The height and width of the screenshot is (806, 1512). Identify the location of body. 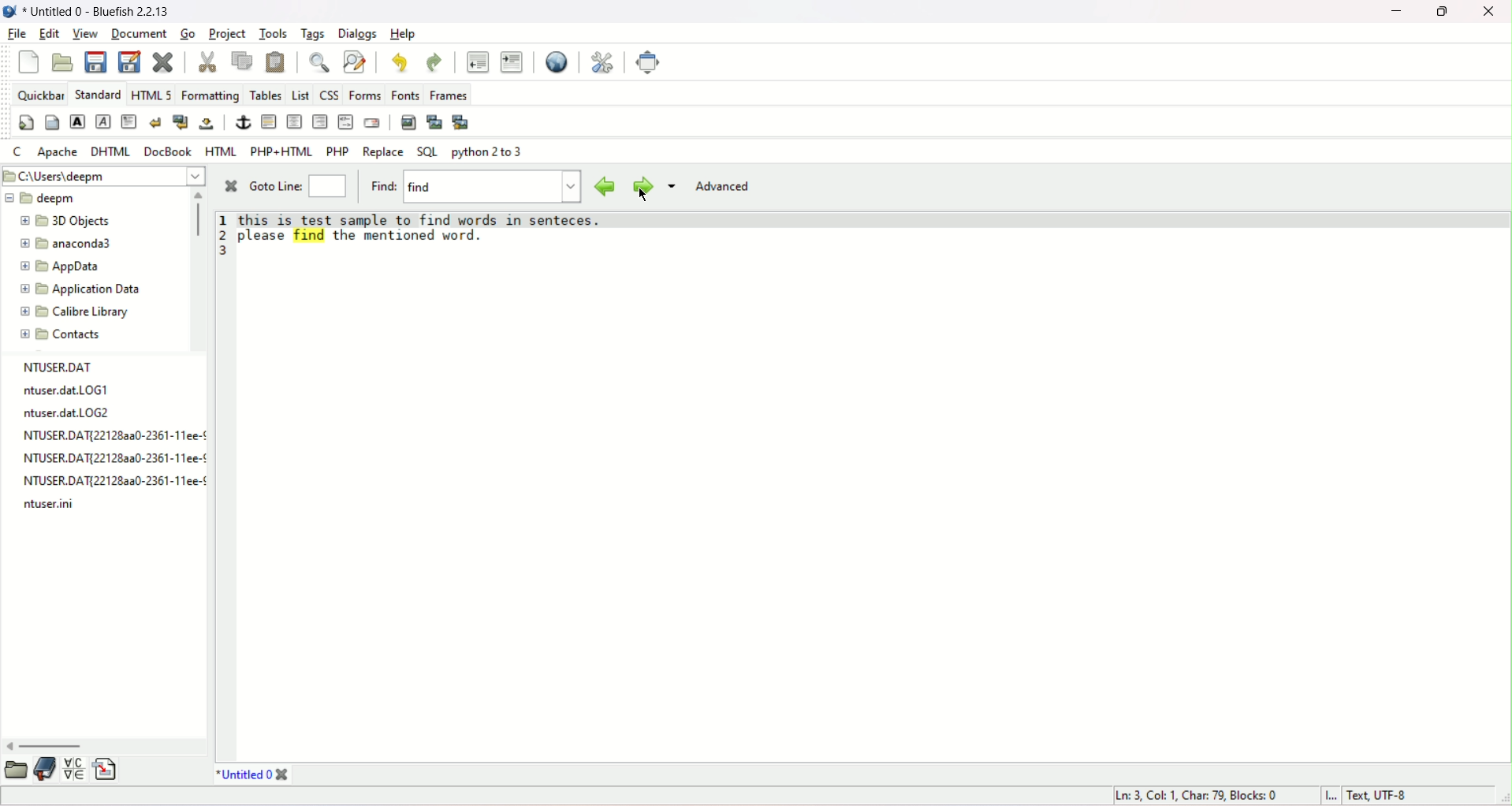
(51, 123).